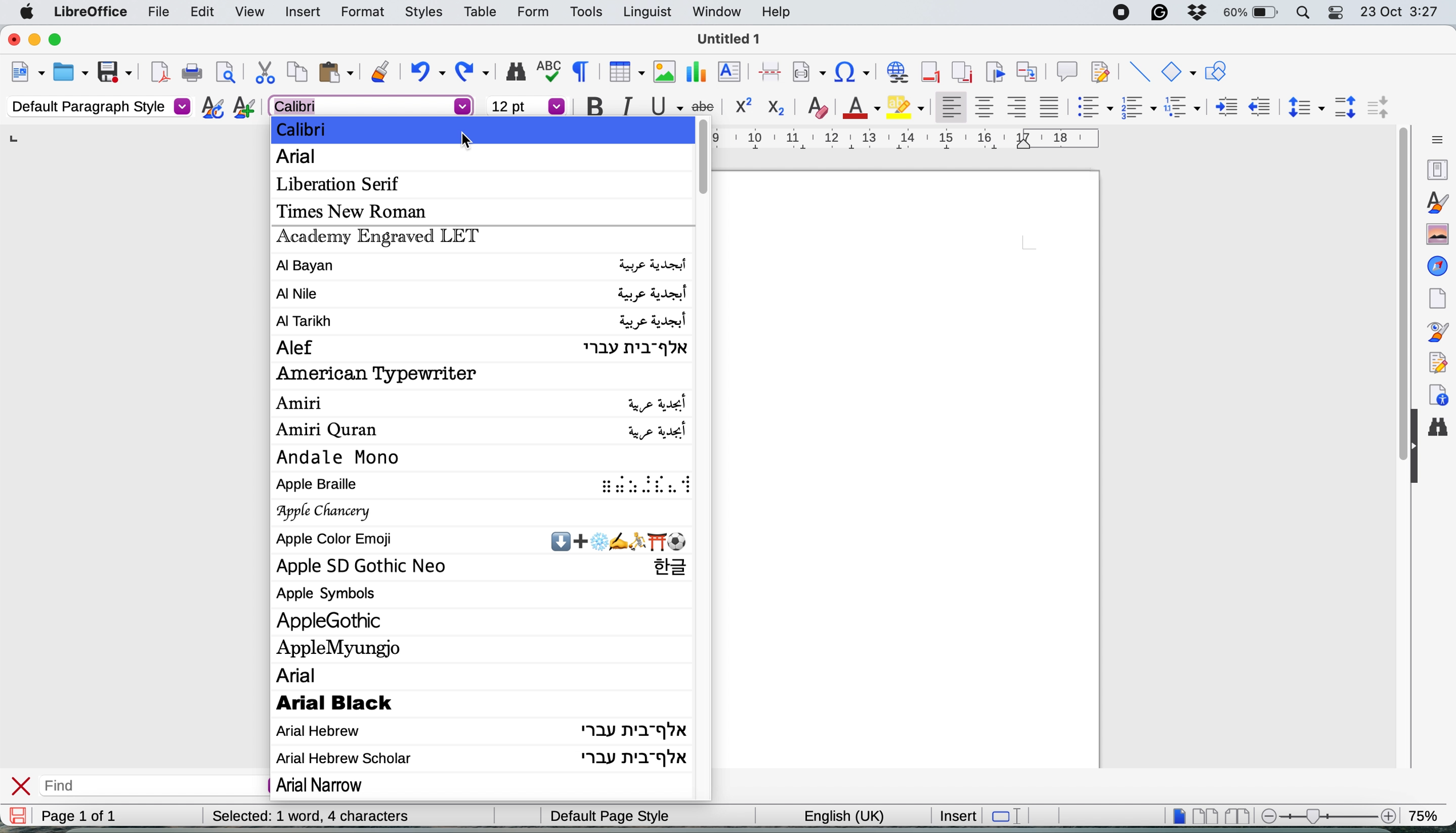 The height and width of the screenshot is (833, 1456). Describe the element at coordinates (837, 815) in the screenshot. I see `english uk` at that location.